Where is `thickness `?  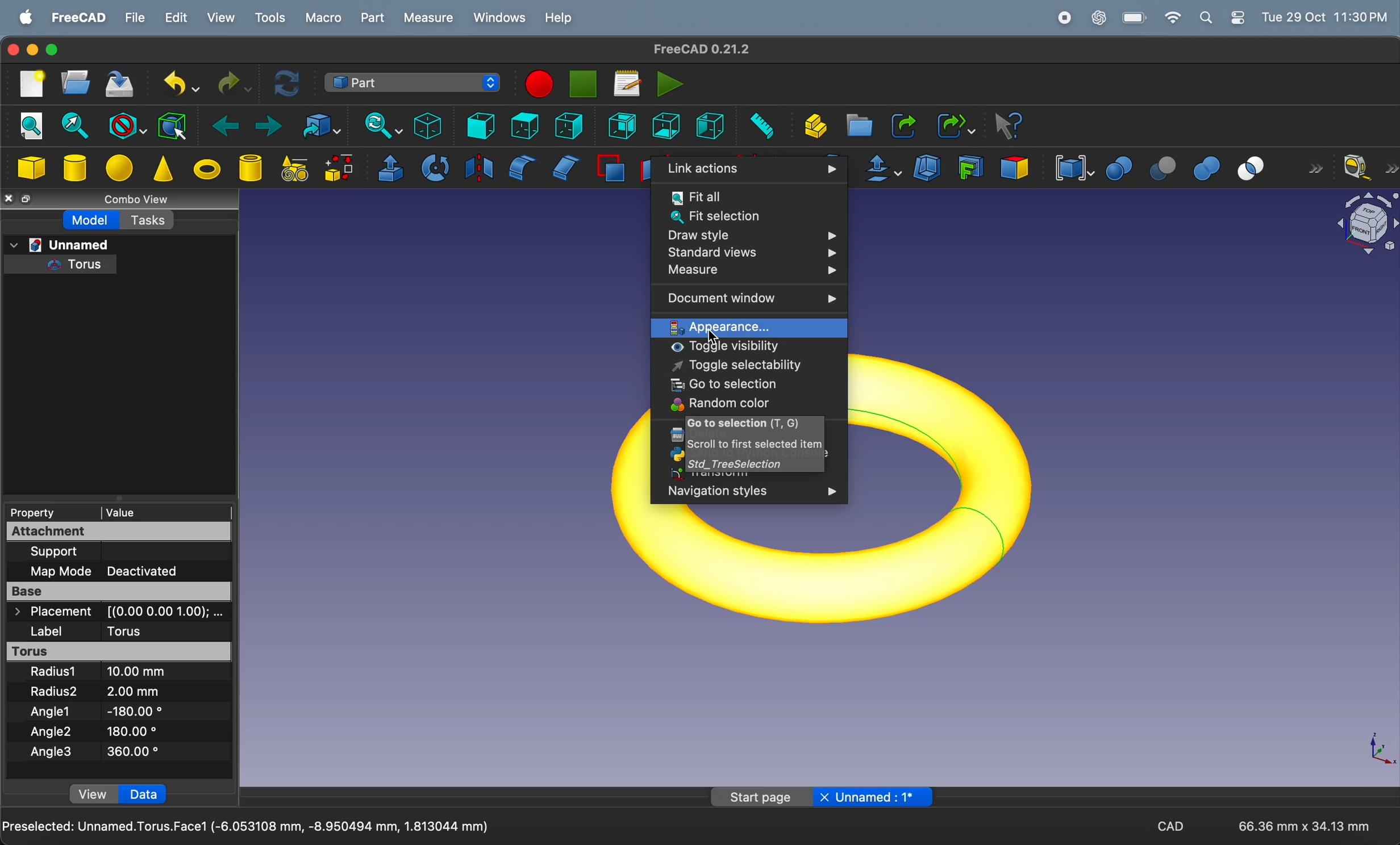 thickness  is located at coordinates (927, 167).